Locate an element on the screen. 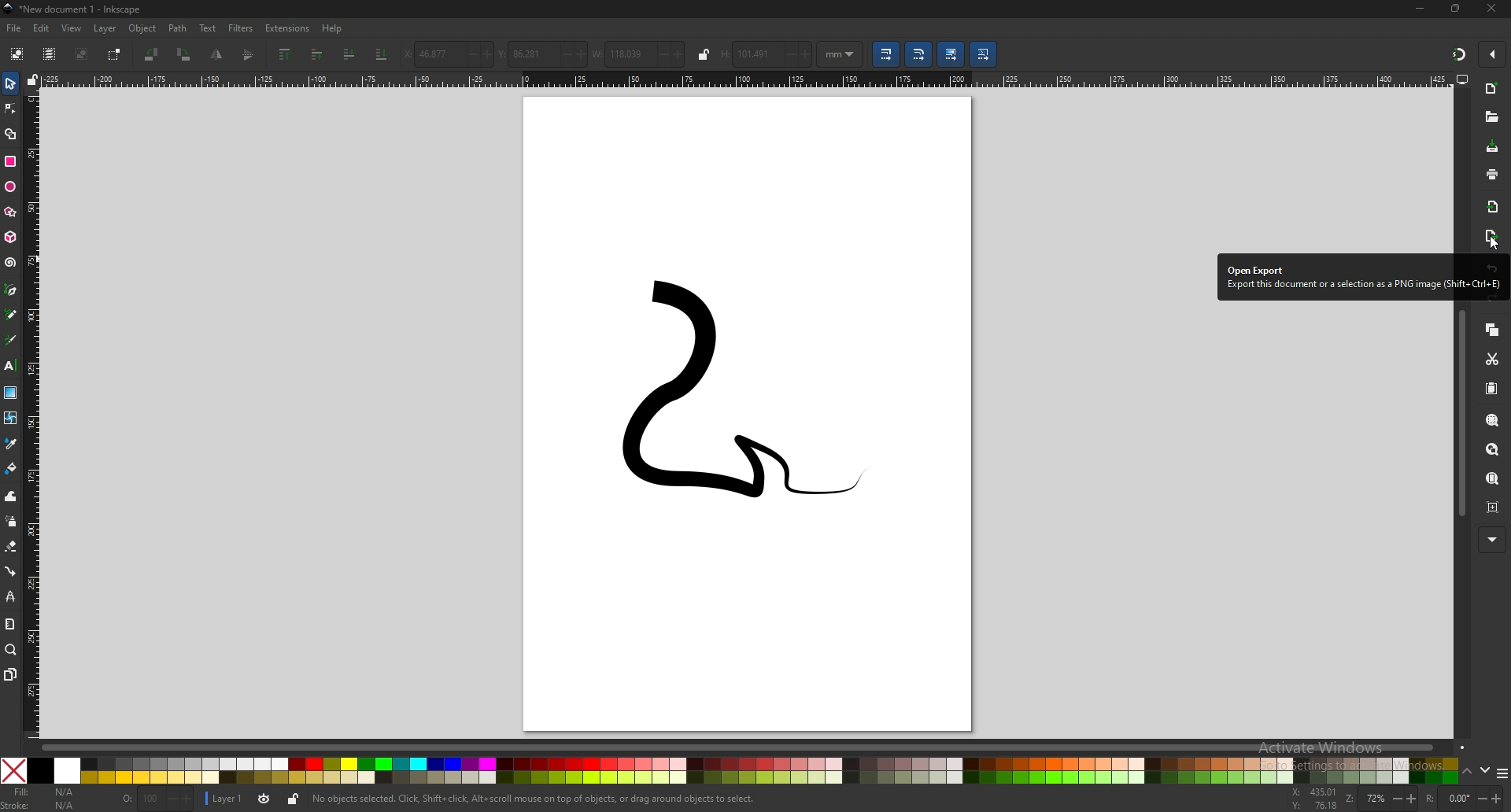 This screenshot has height=812, width=1511. tooltip is located at coordinates (1362, 277).